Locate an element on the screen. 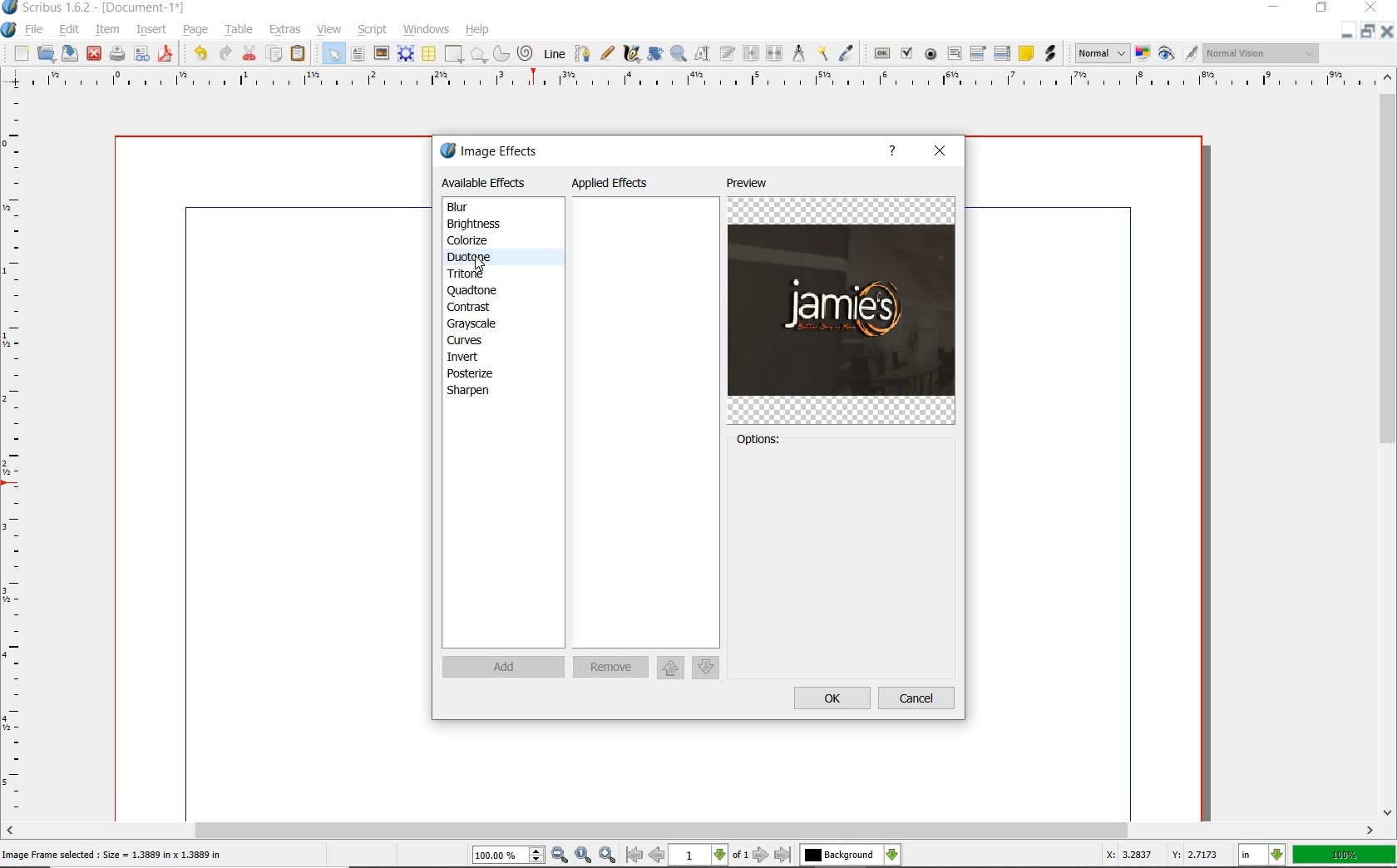  SPIRAL is located at coordinates (526, 52).